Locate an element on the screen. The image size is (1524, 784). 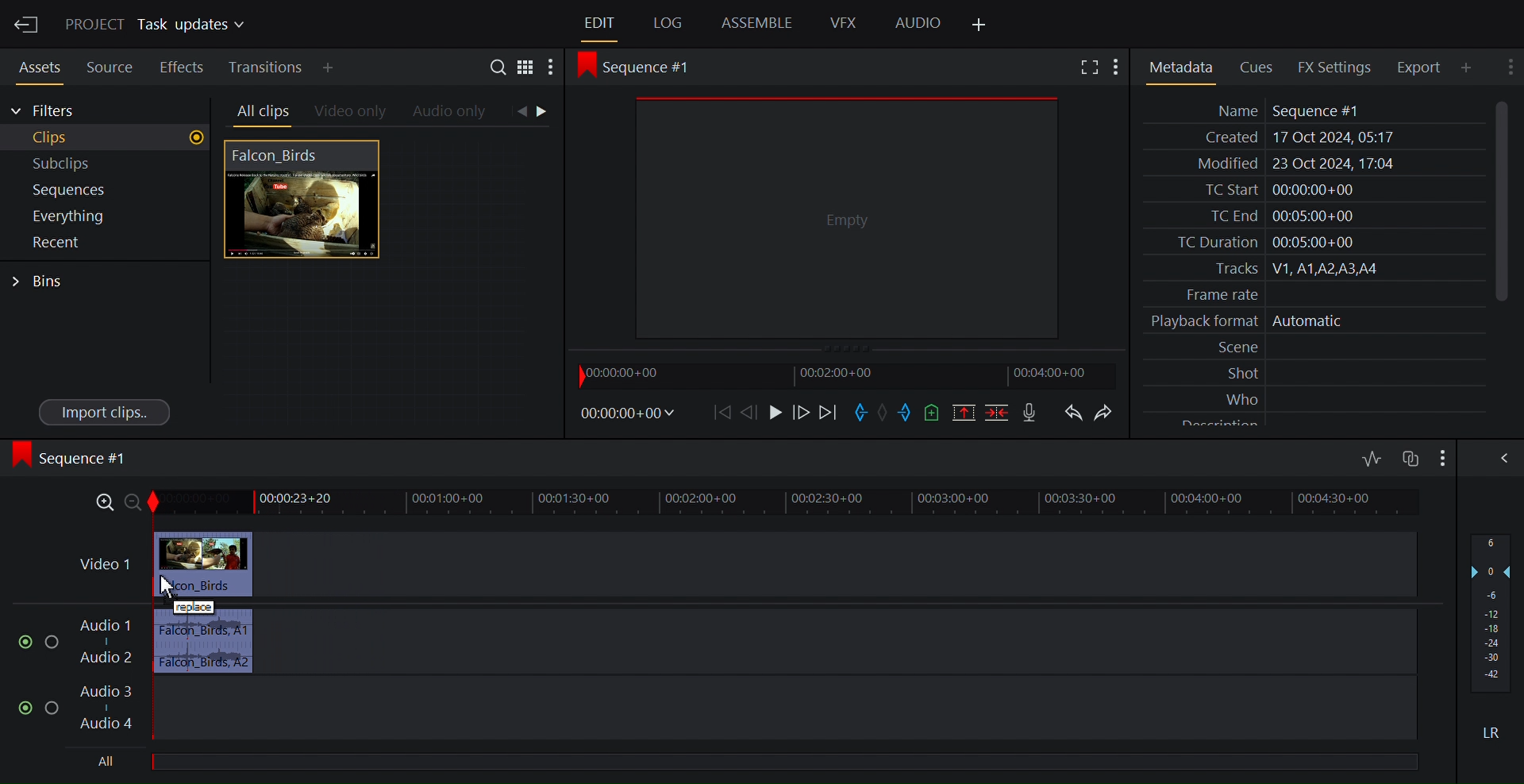
Sequence #1 is located at coordinates (645, 67).